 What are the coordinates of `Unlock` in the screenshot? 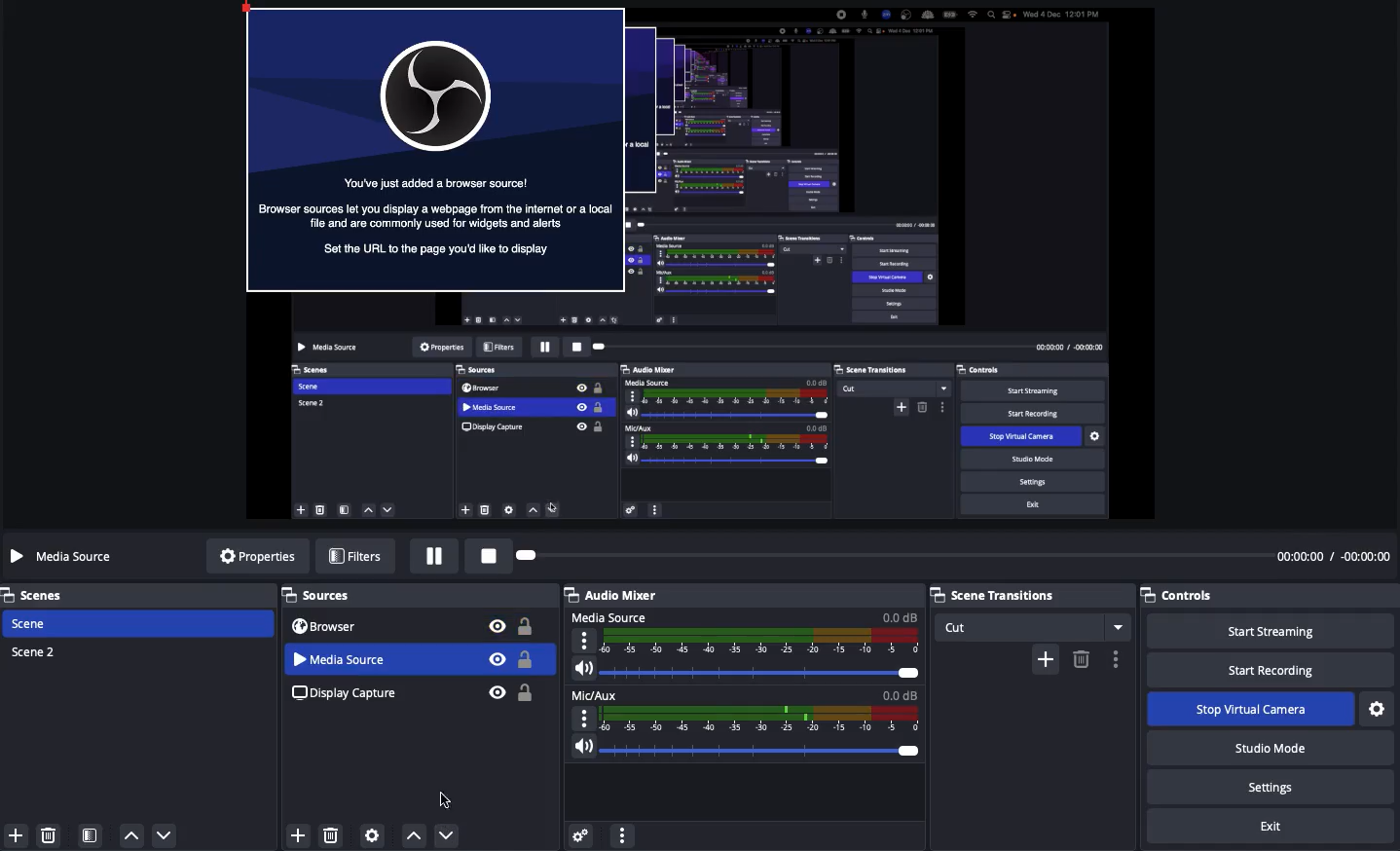 It's located at (529, 660).